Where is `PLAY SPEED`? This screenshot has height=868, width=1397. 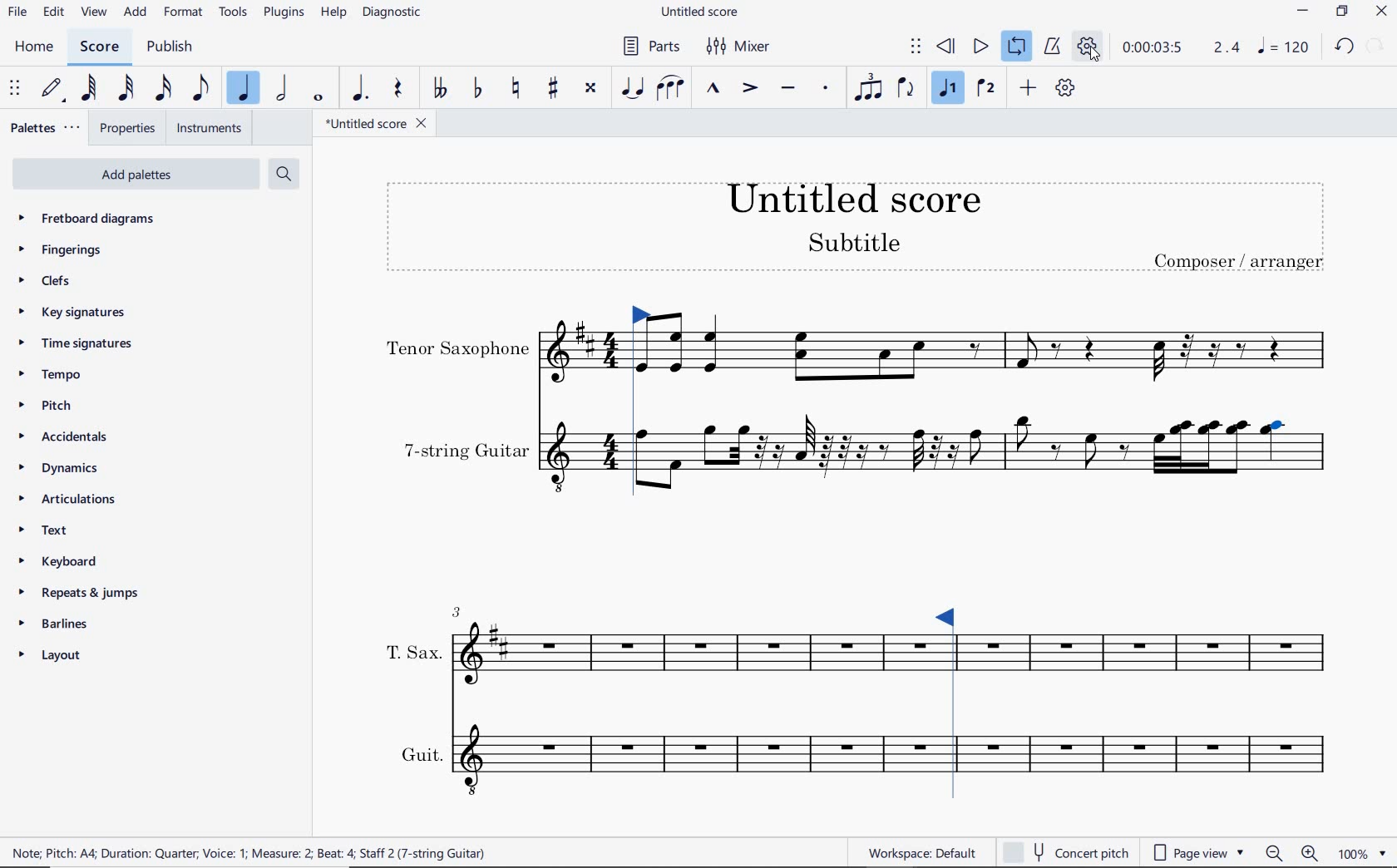 PLAY SPEED is located at coordinates (1183, 52).